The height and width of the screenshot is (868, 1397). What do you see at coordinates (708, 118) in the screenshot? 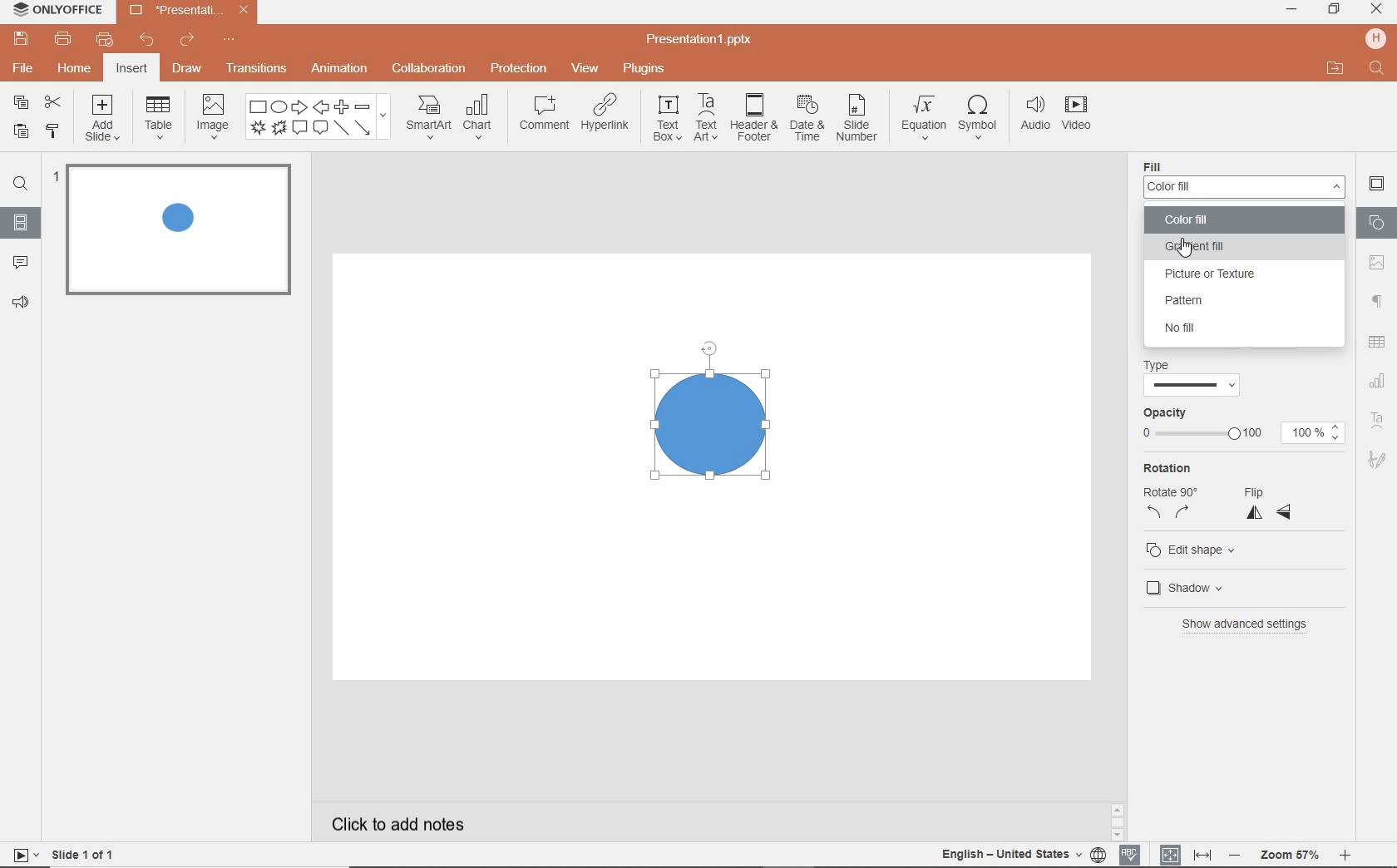
I see `text art` at bounding box center [708, 118].